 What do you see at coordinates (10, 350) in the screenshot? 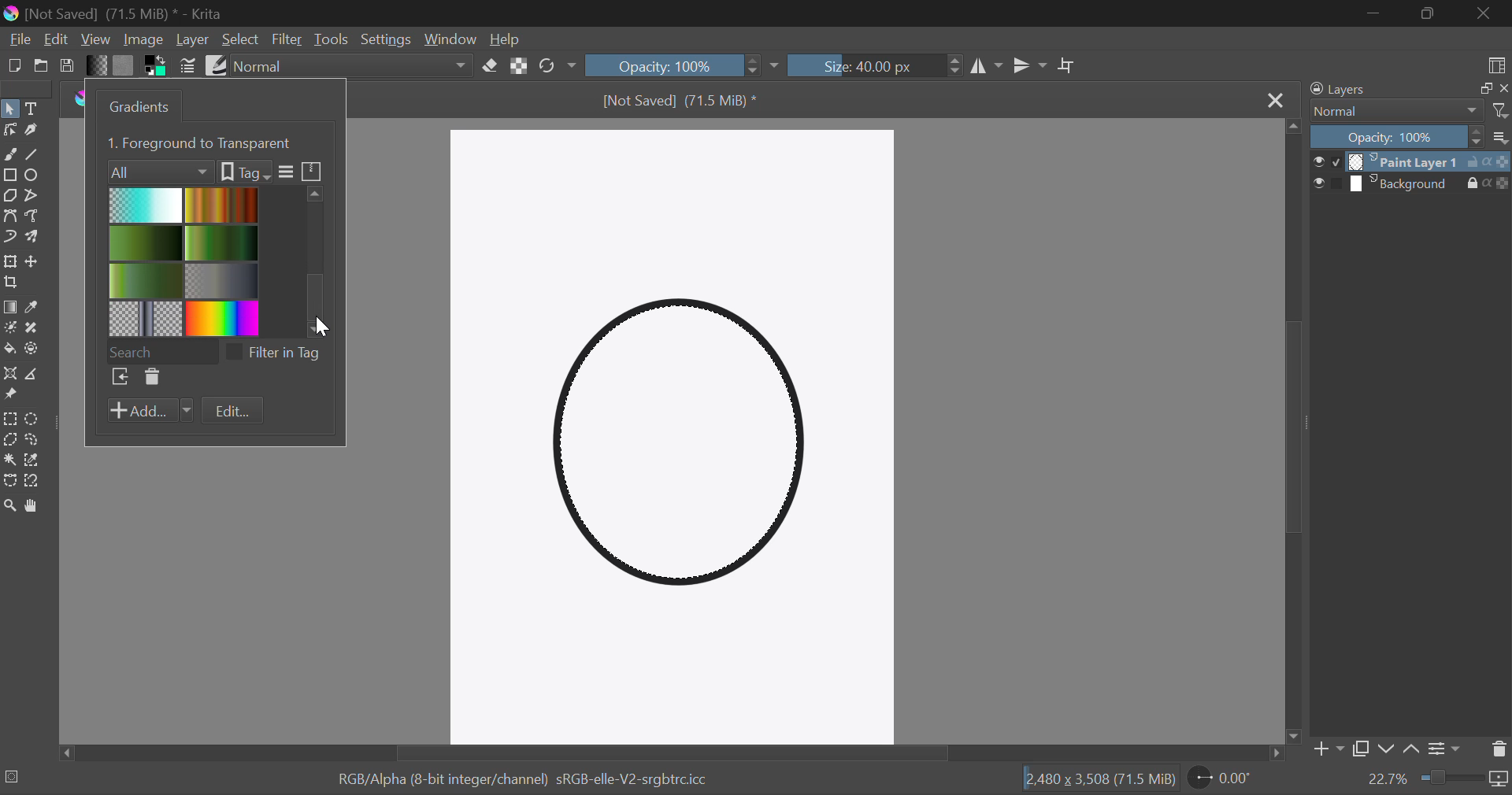
I see `Fill` at bounding box center [10, 350].